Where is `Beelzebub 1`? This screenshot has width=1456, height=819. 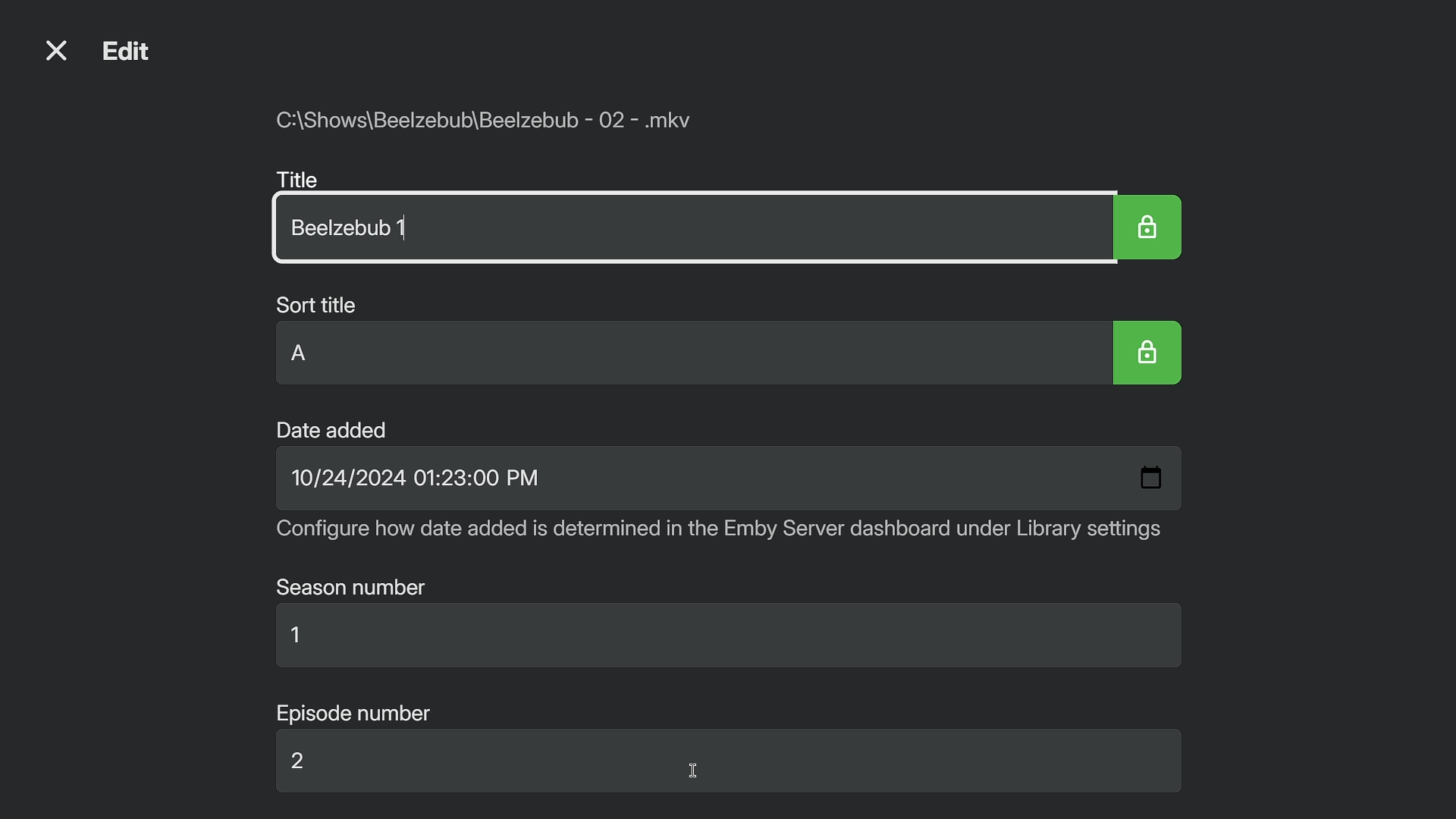
Beelzebub 1 is located at coordinates (366, 231).